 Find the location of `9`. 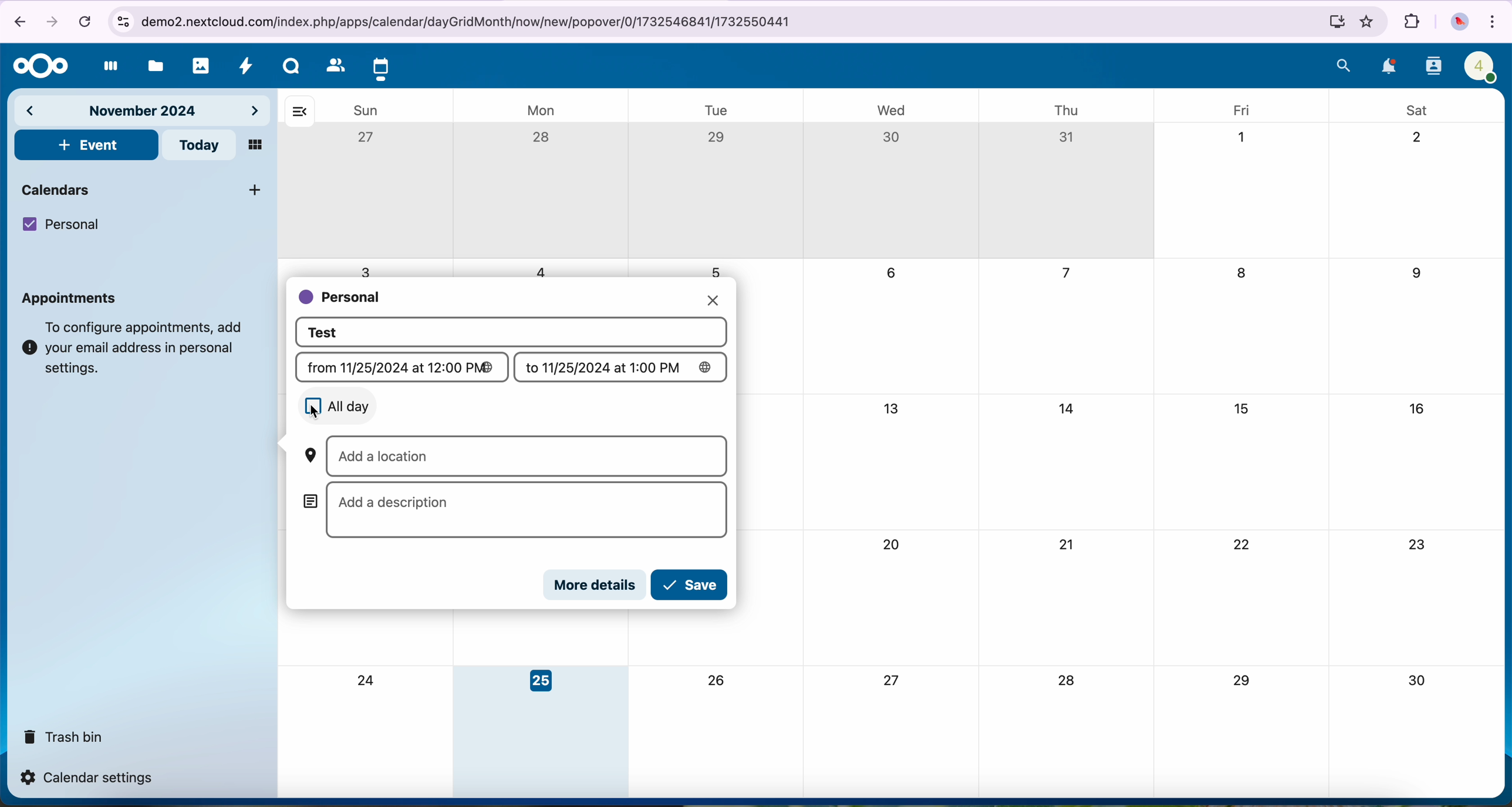

9 is located at coordinates (1415, 274).